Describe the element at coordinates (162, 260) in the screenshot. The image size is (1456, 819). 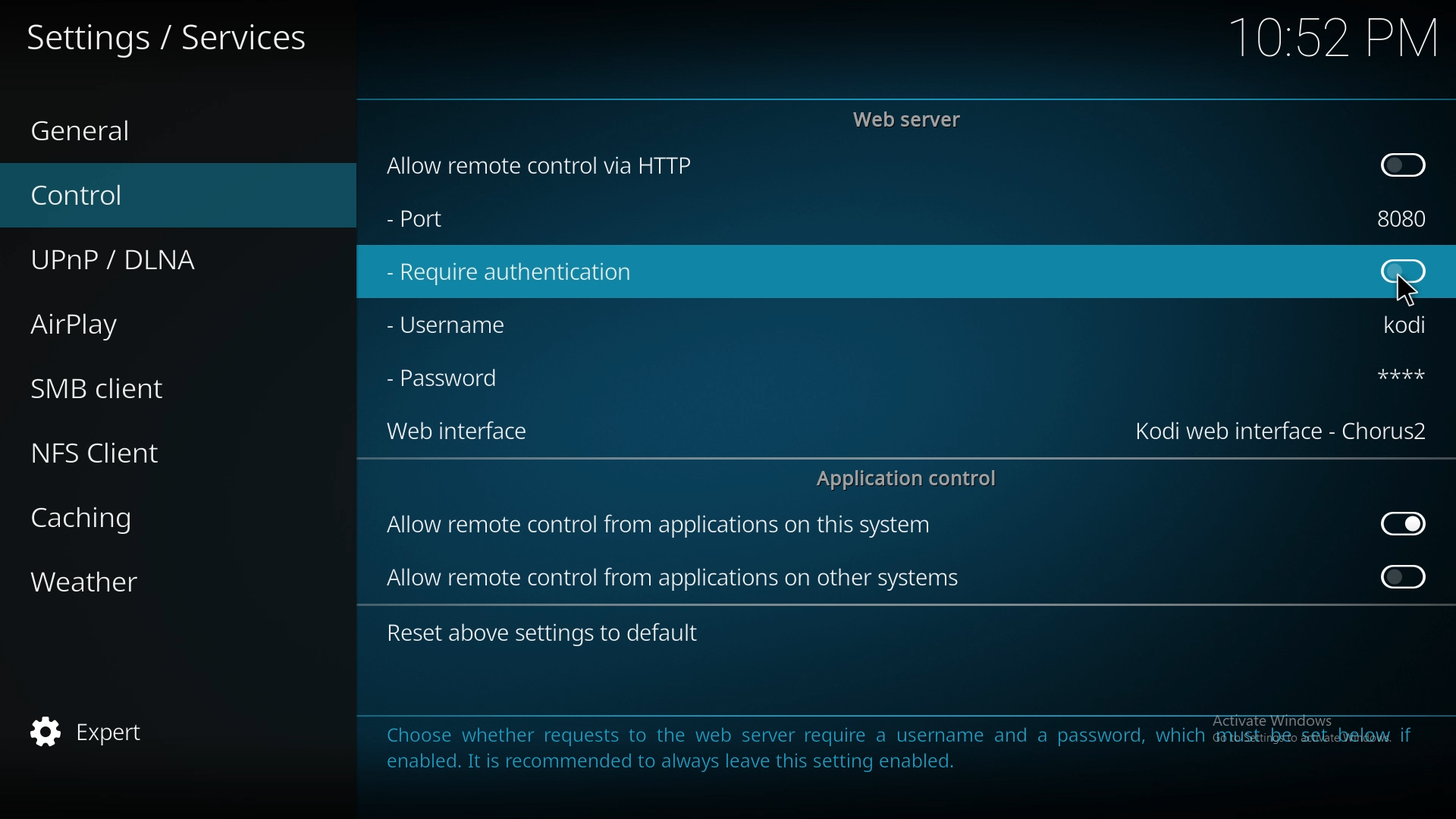
I see `upnp/dlna` at that location.